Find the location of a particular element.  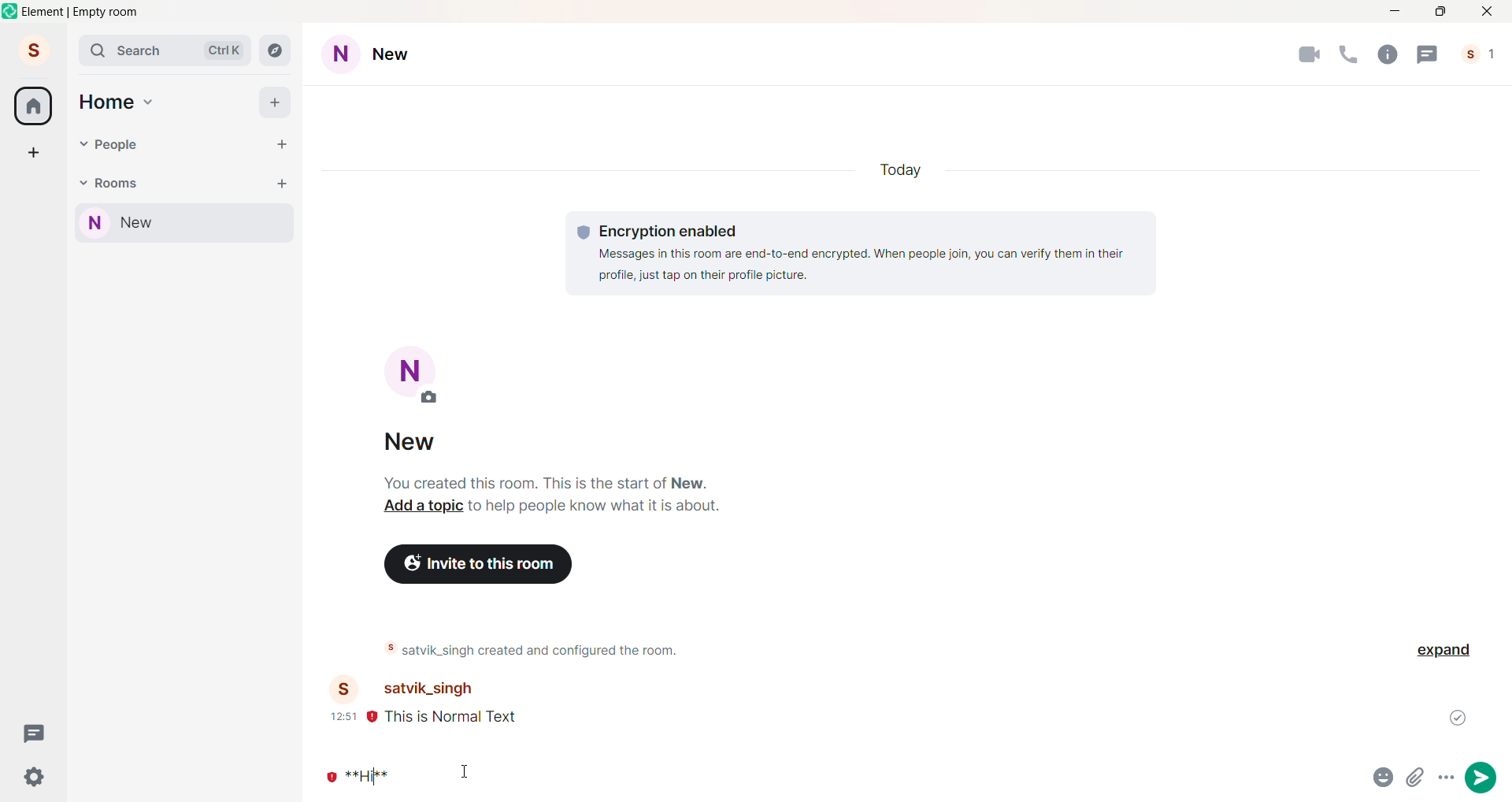

Add Room Picture is located at coordinates (416, 377).